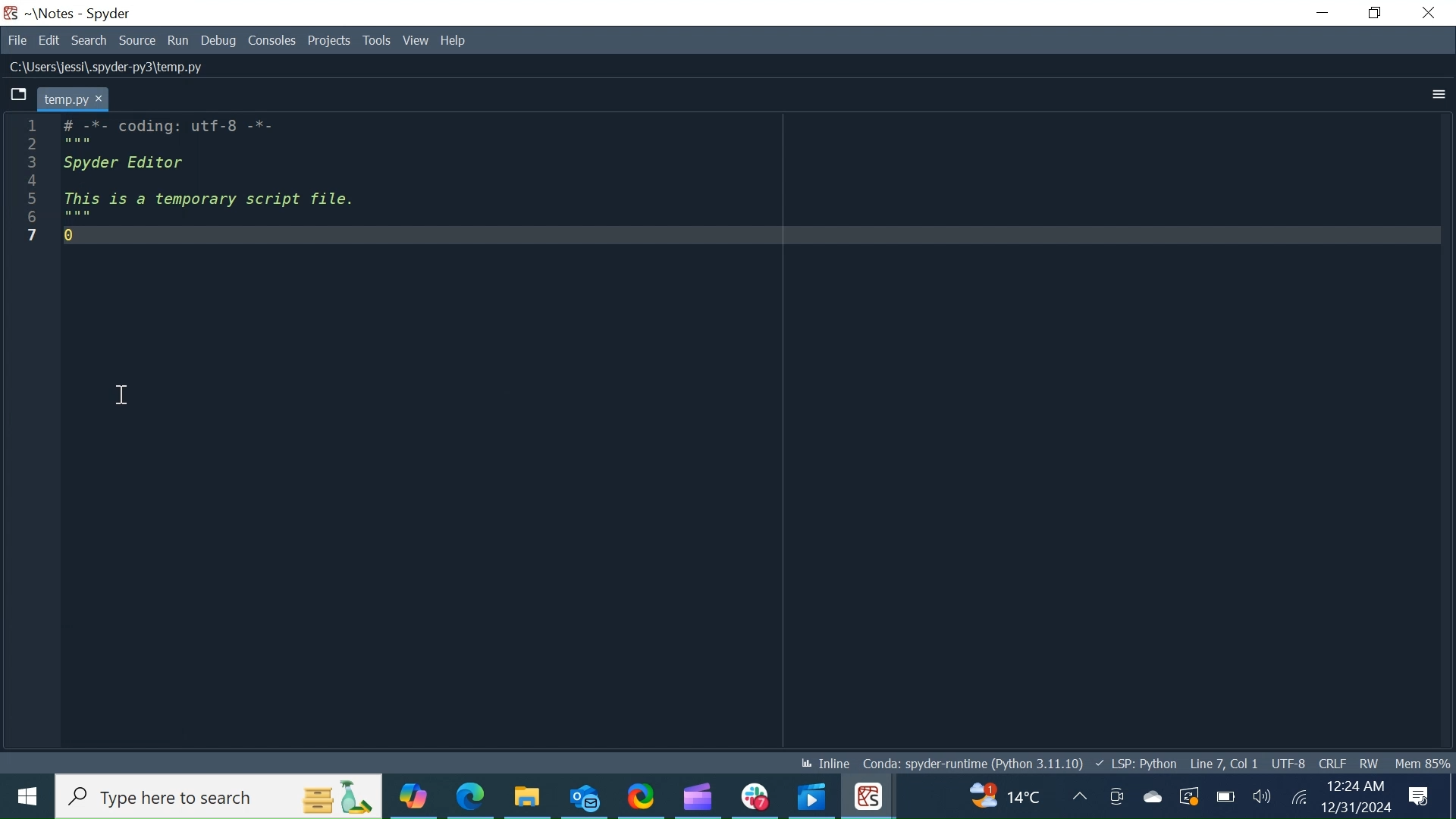  What do you see at coordinates (1374, 13) in the screenshot?
I see `Restore` at bounding box center [1374, 13].